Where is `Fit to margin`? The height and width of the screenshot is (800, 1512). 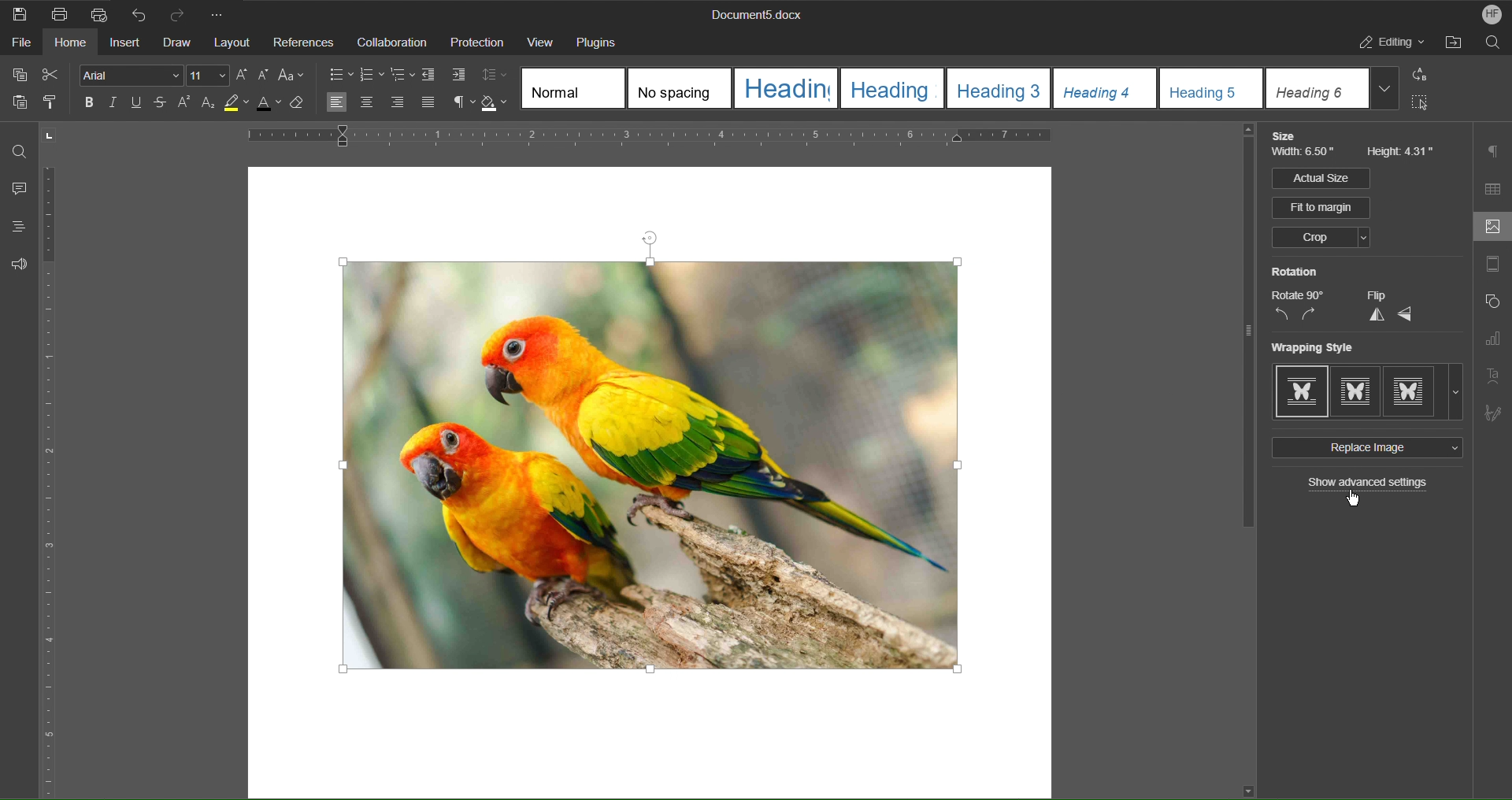
Fit to margin is located at coordinates (1322, 208).